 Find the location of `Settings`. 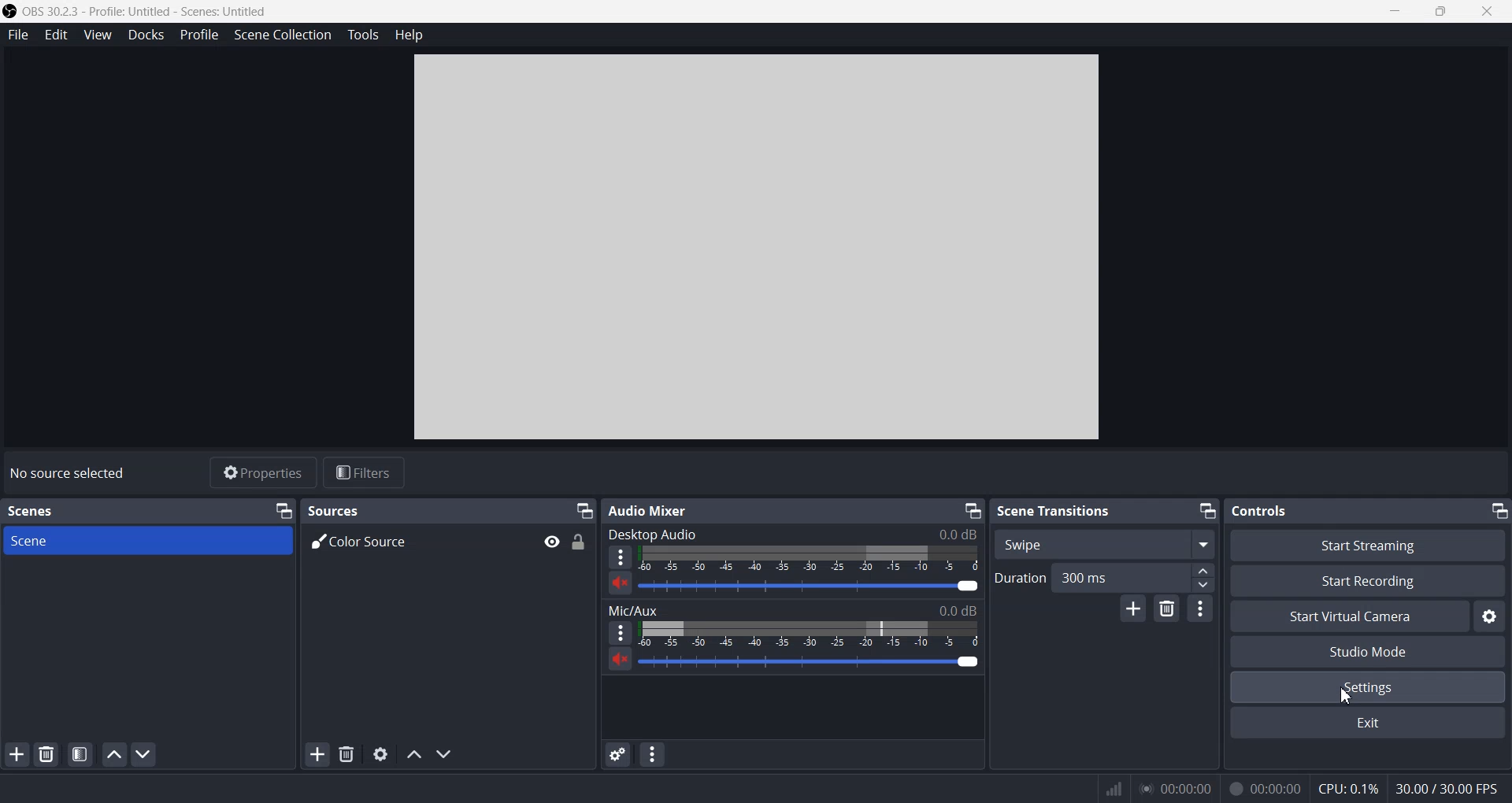

Settings is located at coordinates (1368, 686).